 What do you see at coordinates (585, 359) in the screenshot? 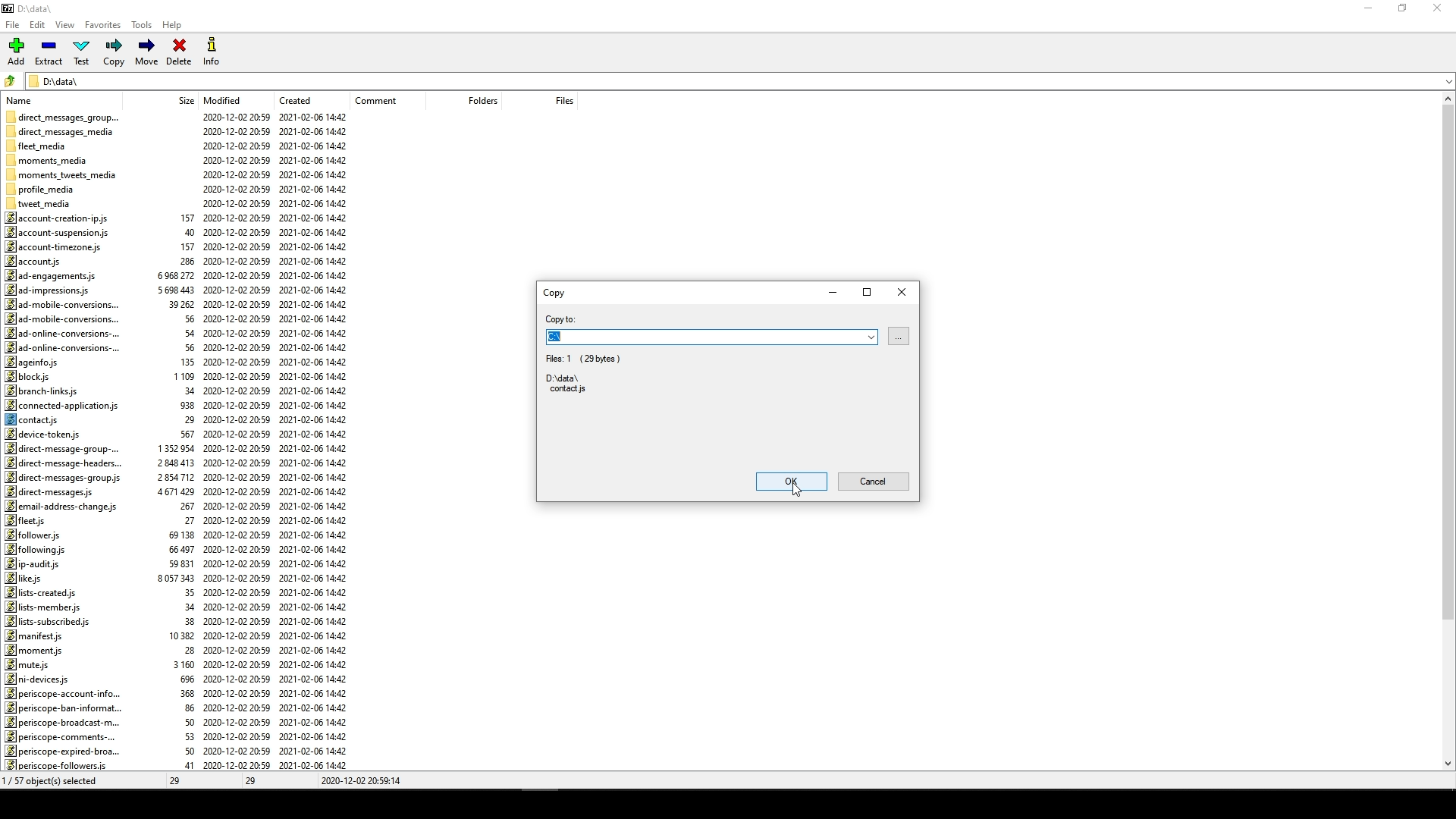
I see `Fies:1 (29bytes)` at bounding box center [585, 359].